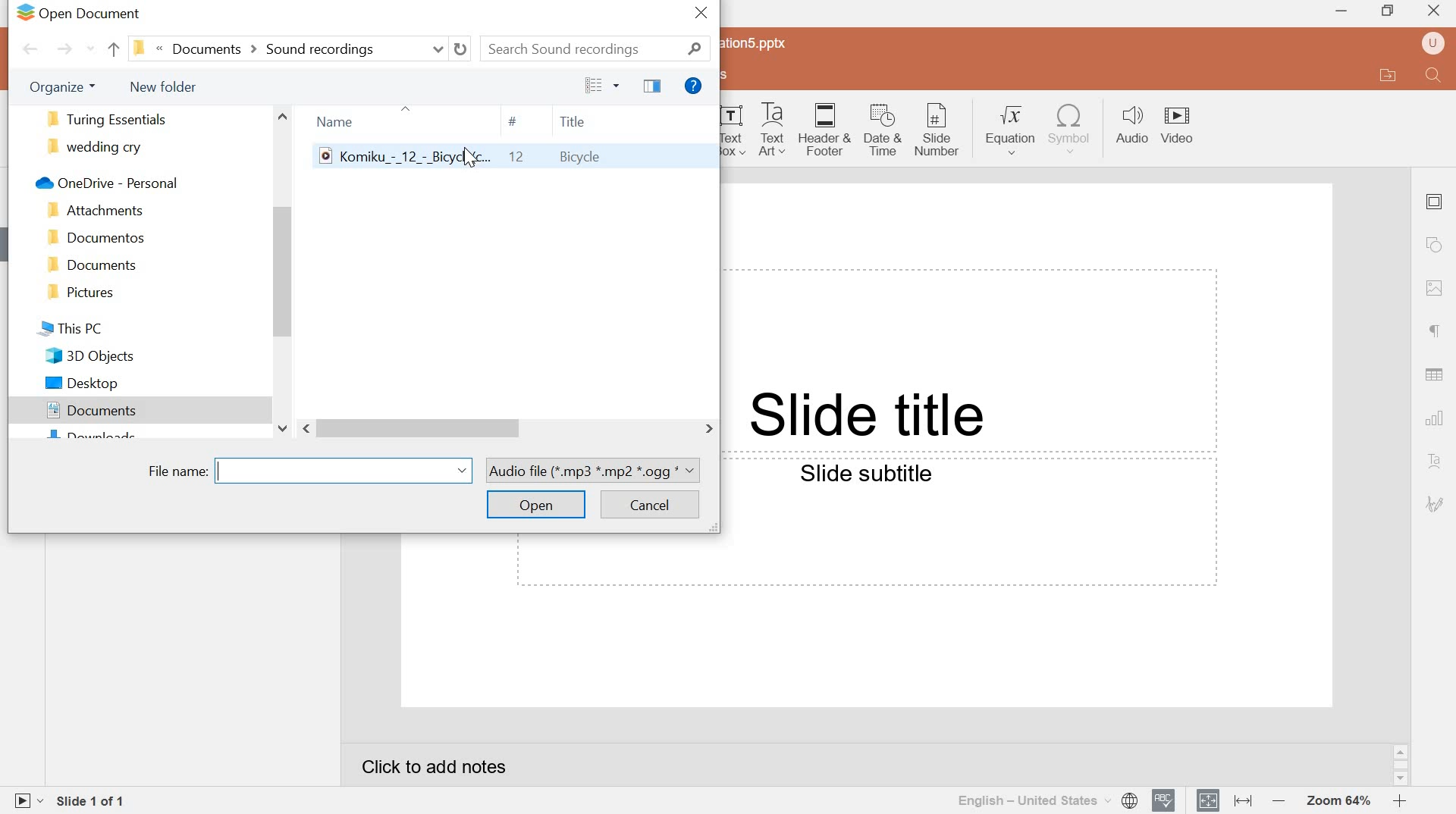 This screenshot has height=814, width=1456. Describe the element at coordinates (407, 111) in the screenshot. I see `up` at that location.